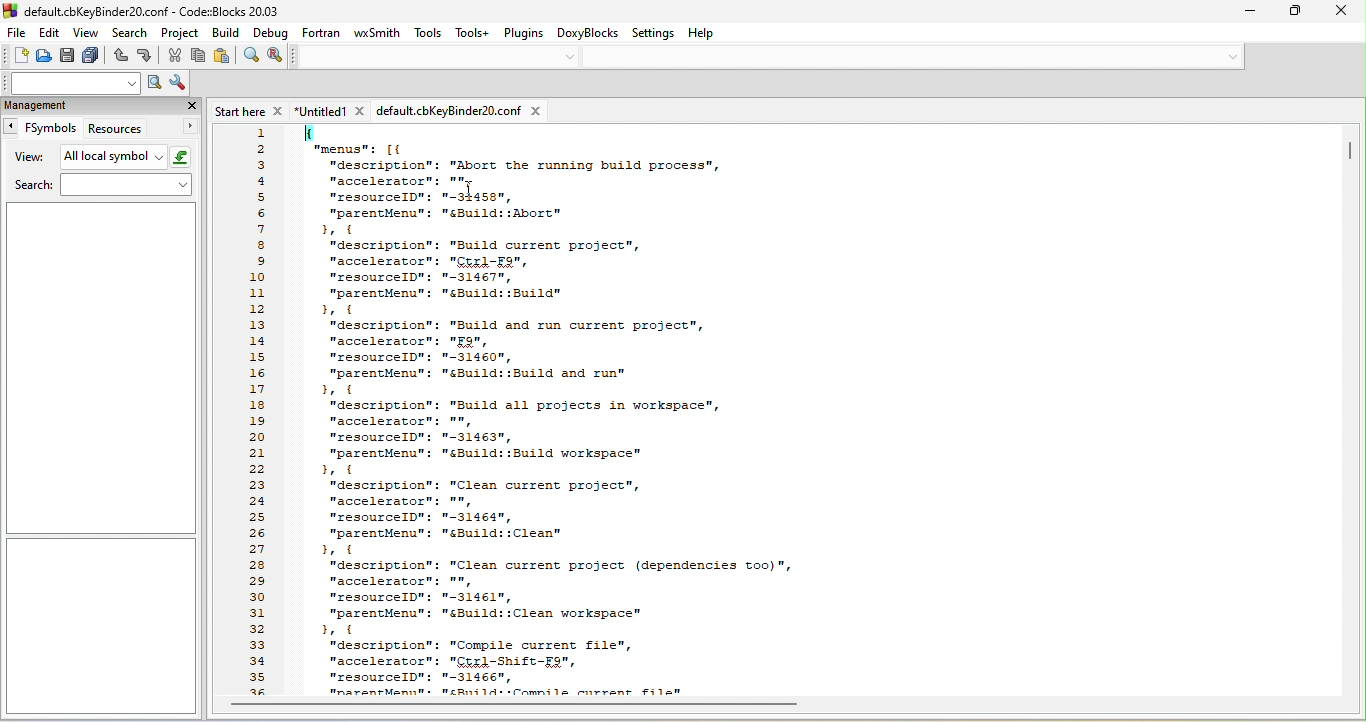  I want to click on all local symbol, so click(127, 157).